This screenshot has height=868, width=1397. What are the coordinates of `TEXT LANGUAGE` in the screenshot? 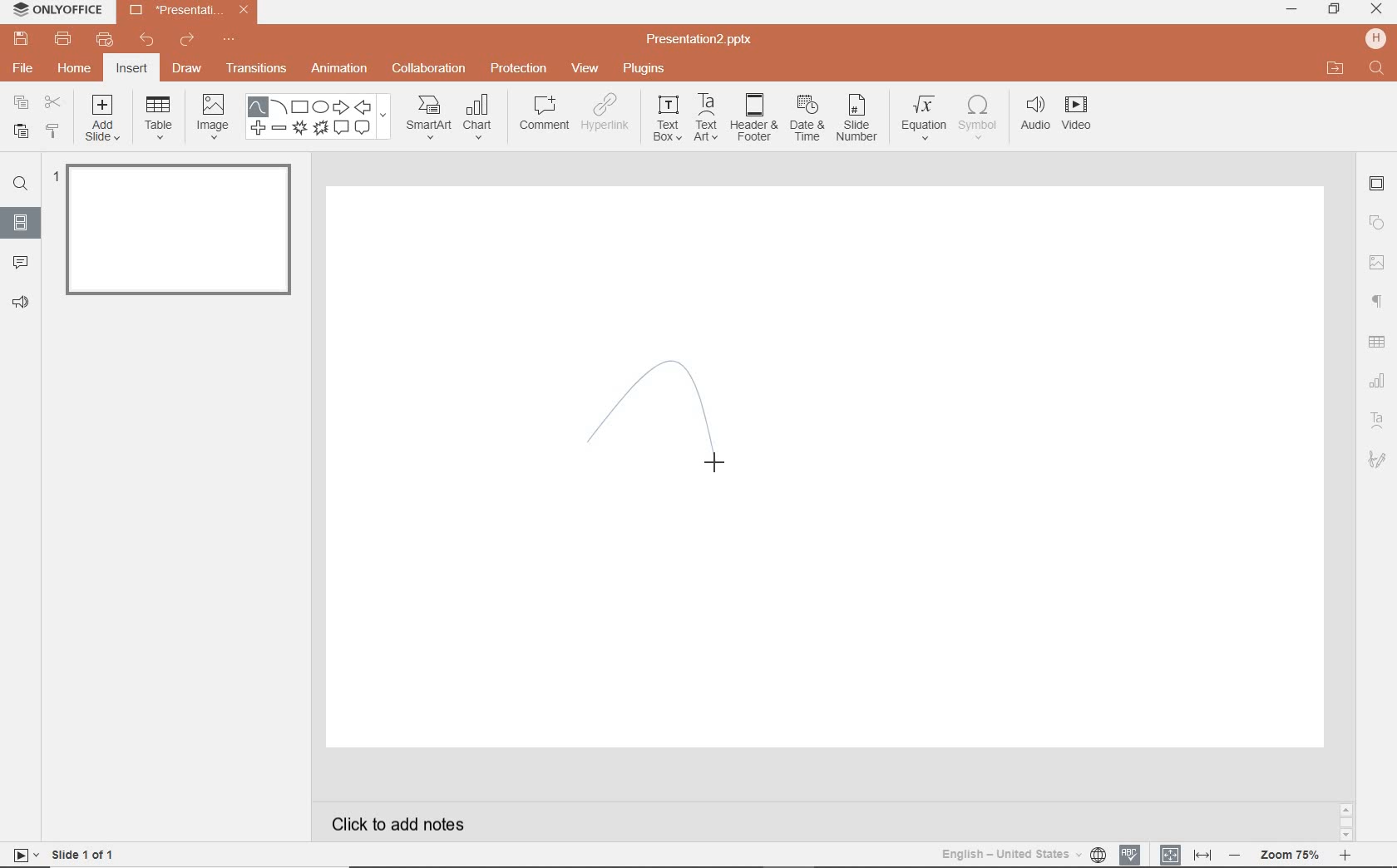 It's located at (1023, 852).